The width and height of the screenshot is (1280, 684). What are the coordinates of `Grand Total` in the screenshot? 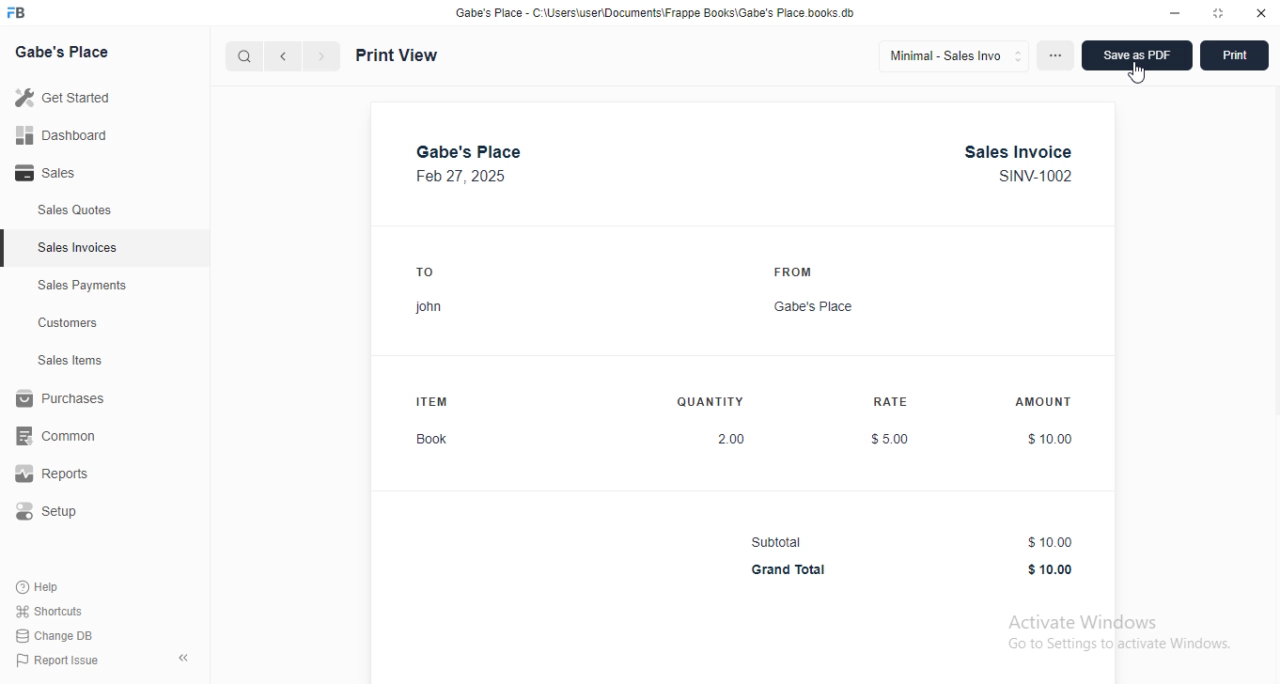 It's located at (790, 570).